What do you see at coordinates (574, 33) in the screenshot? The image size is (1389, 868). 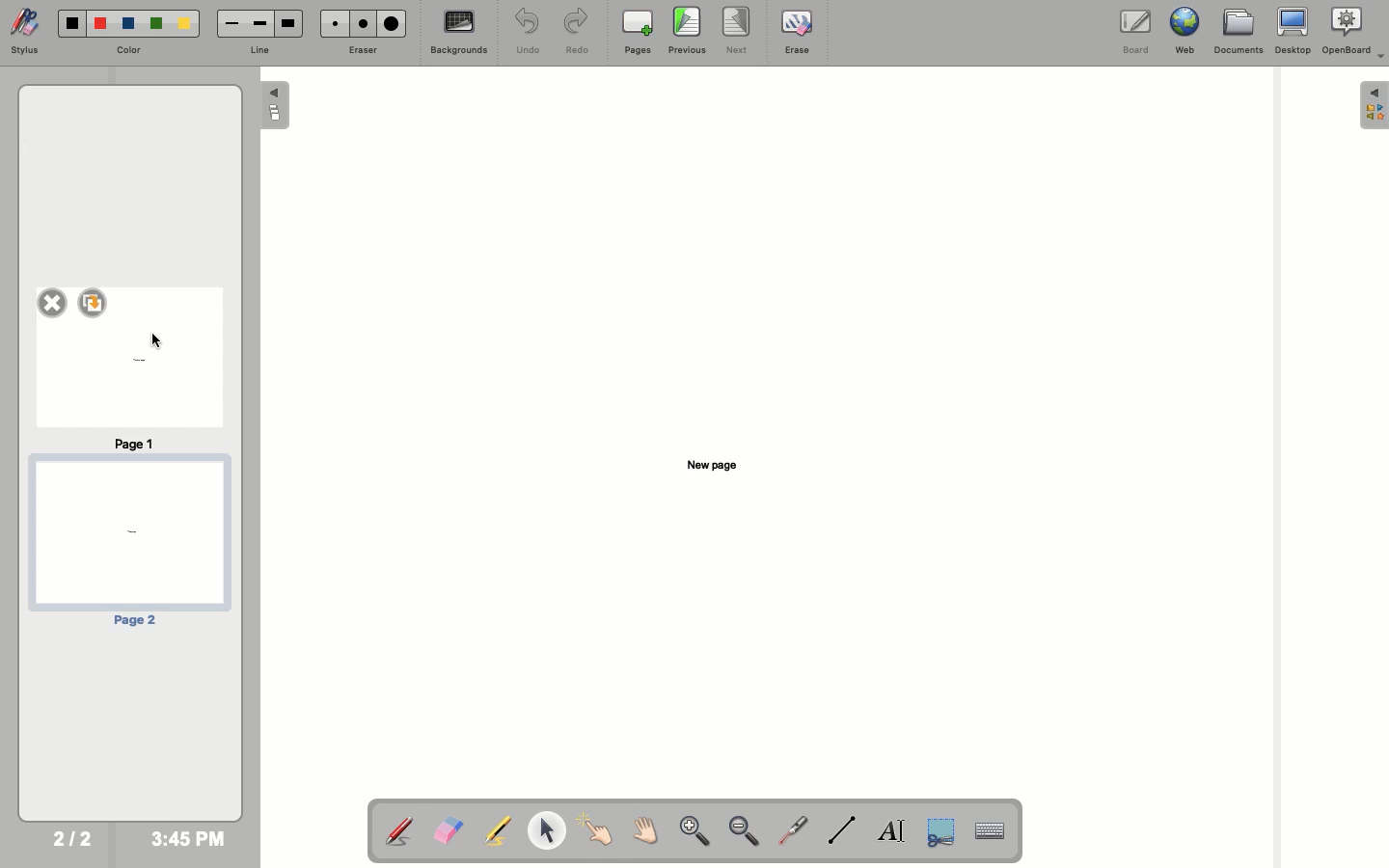 I see `Redo` at bounding box center [574, 33].